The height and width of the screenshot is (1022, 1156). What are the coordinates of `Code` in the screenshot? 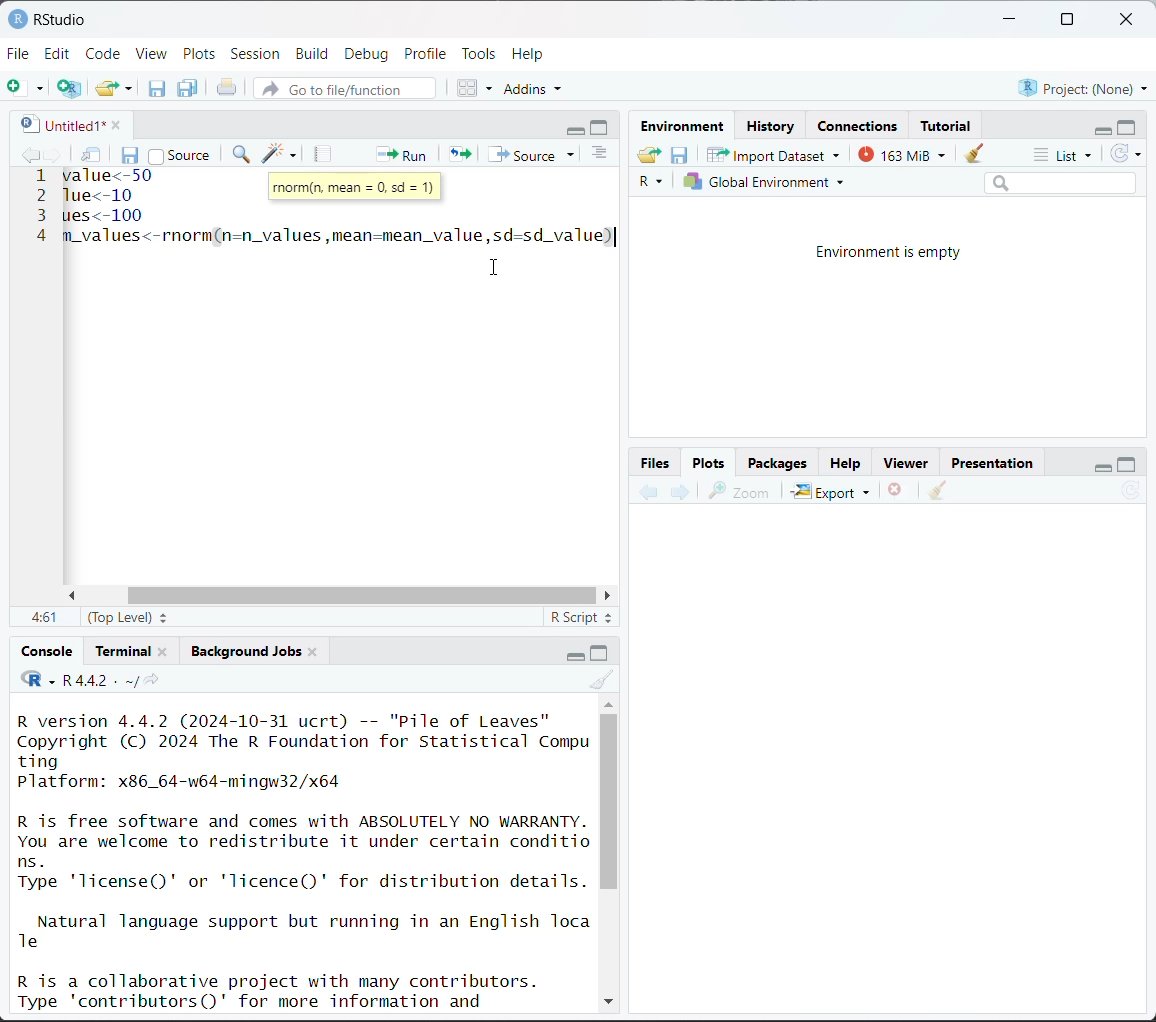 It's located at (105, 52).